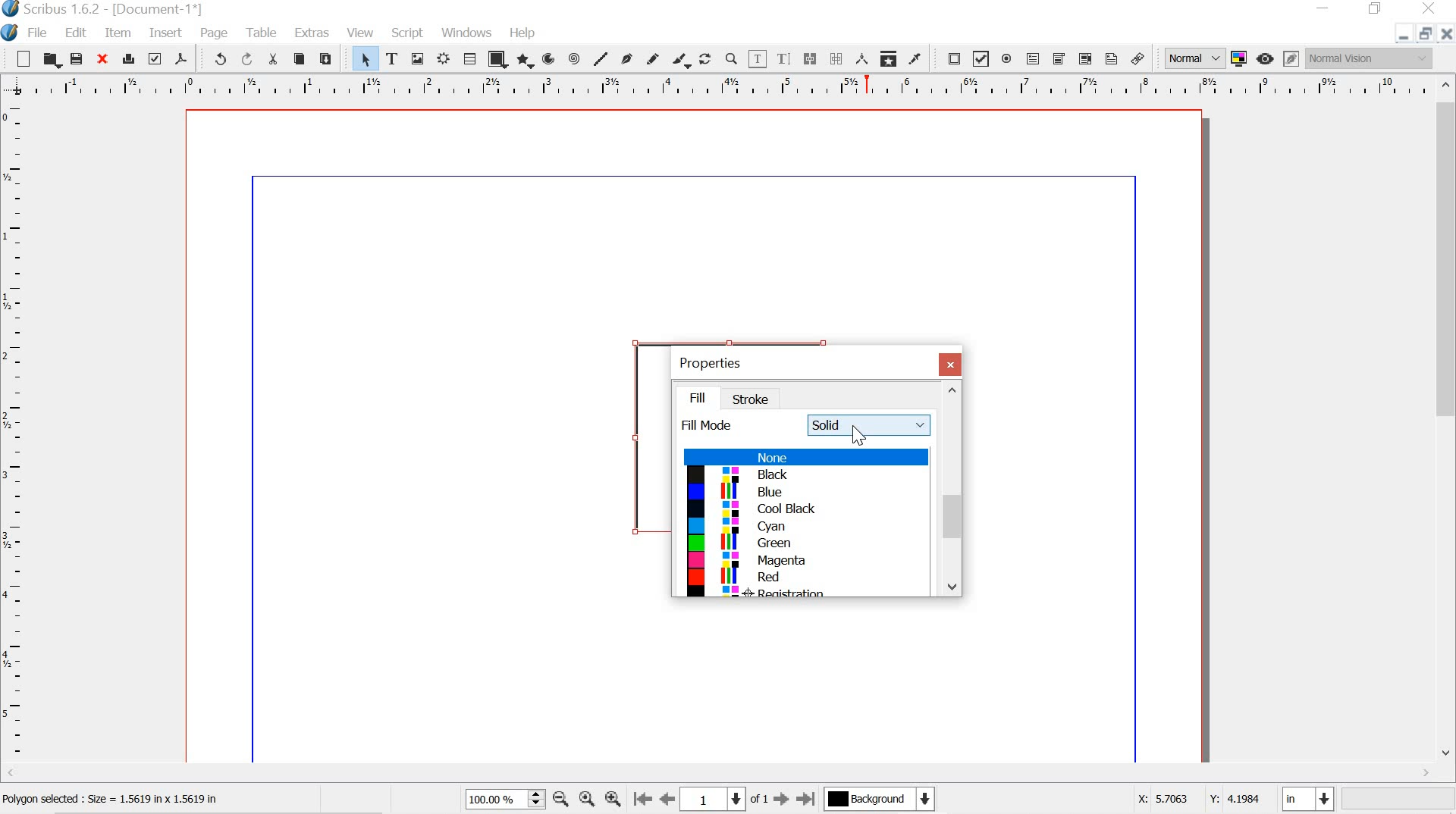  Describe the element at coordinates (218, 61) in the screenshot. I see `undo` at that location.